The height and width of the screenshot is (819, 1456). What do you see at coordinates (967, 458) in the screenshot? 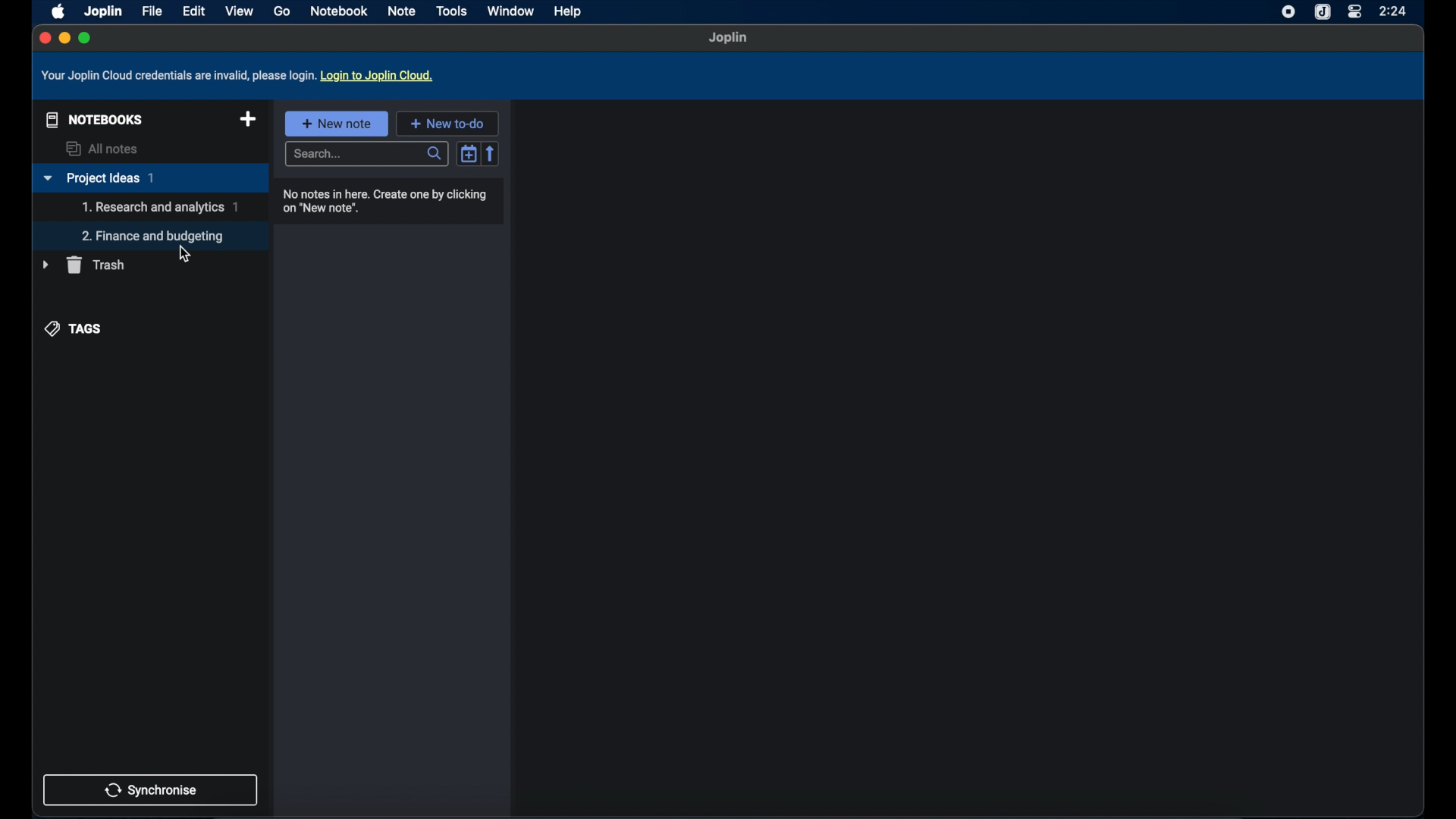
I see `empty state` at bounding box center [967, 458].